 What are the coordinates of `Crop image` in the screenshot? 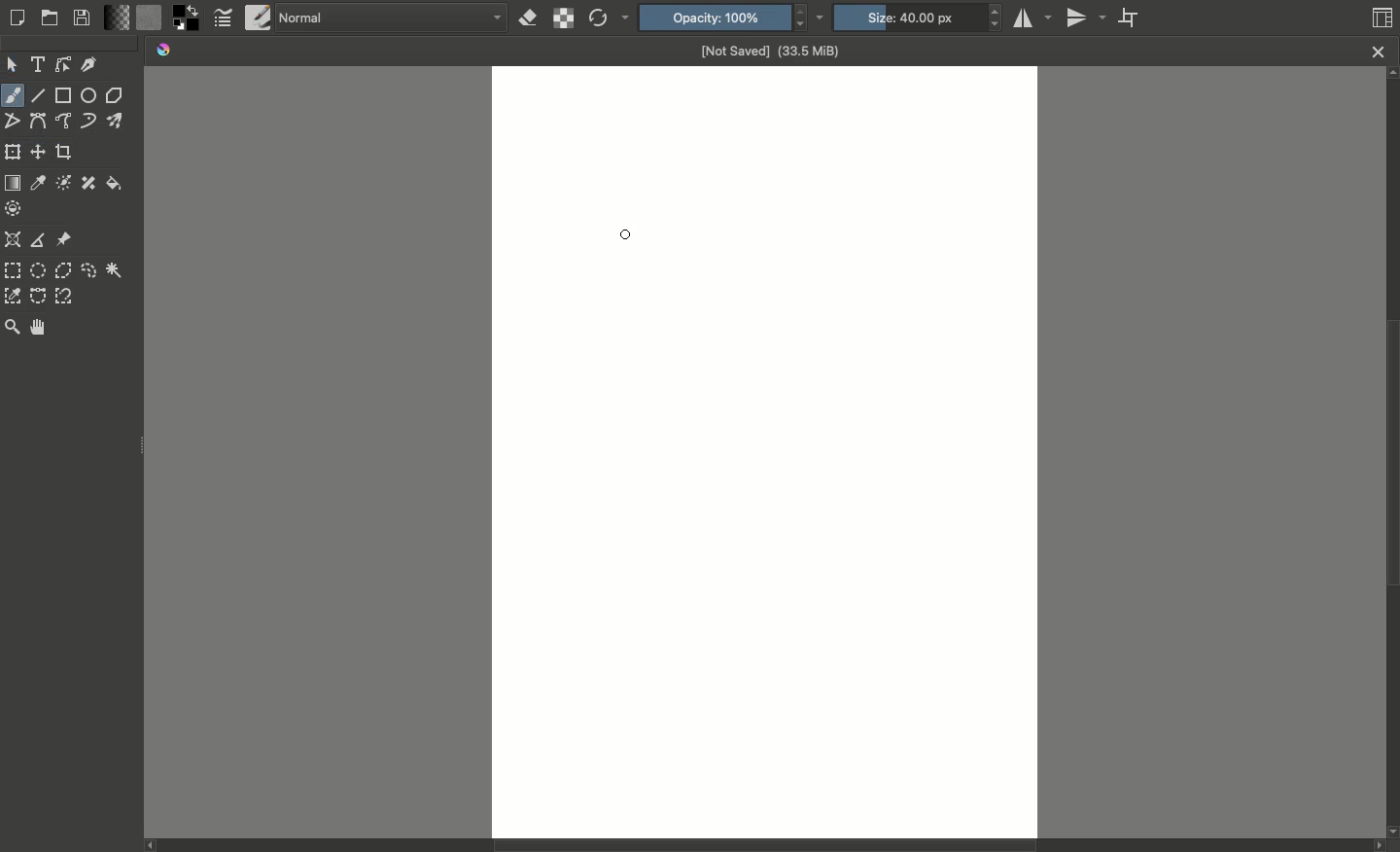 It's located at (64, 154).